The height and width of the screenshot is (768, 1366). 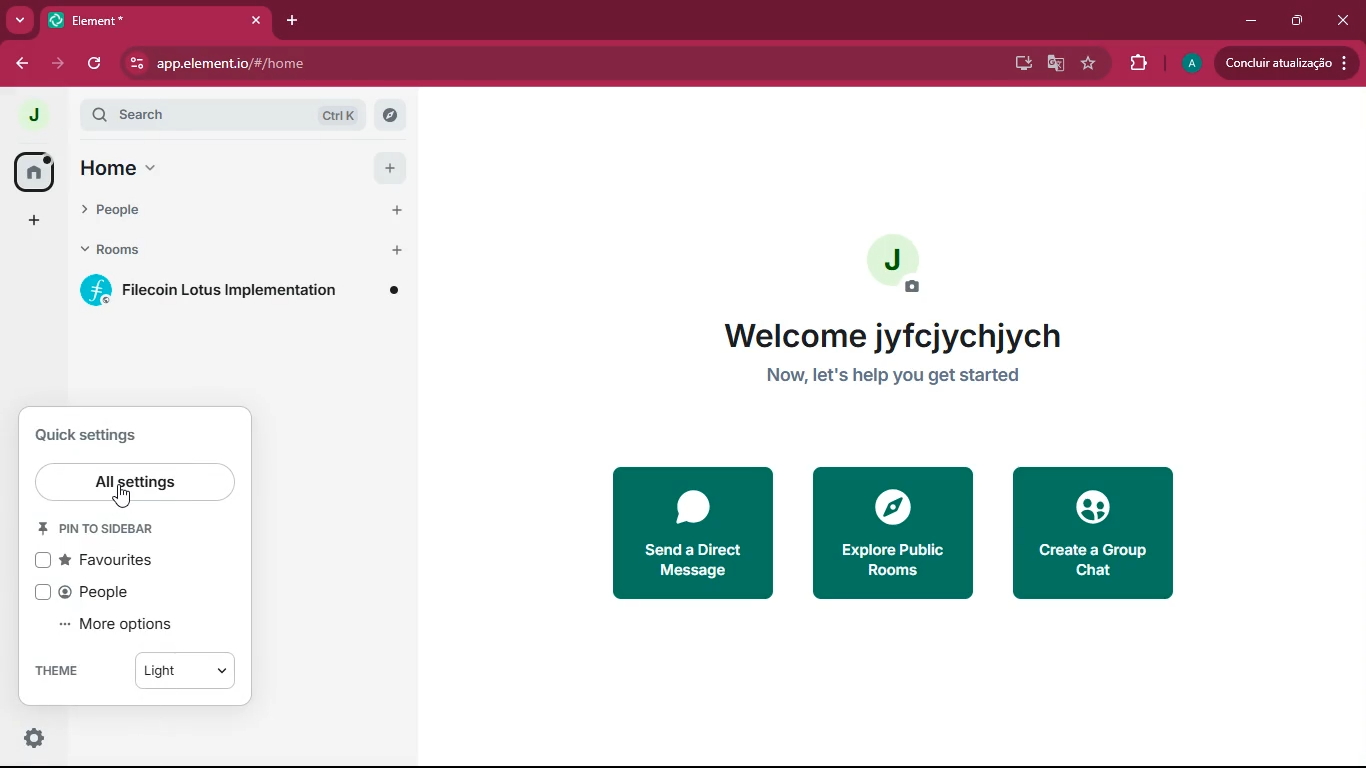 What do you see at coordinates (122, 495) in the screenshot?
I see `cursor` at bounding box center [122, 495].